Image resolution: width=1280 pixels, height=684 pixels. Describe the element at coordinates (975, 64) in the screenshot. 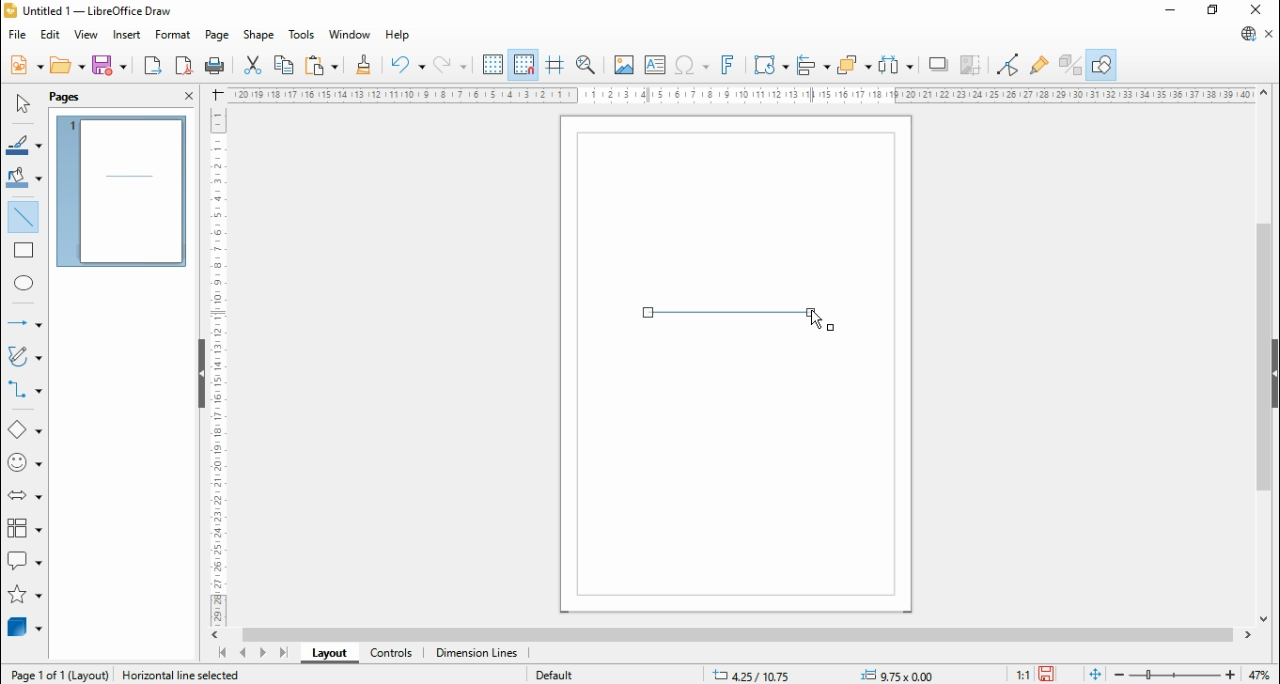

I see `crop` at that location.